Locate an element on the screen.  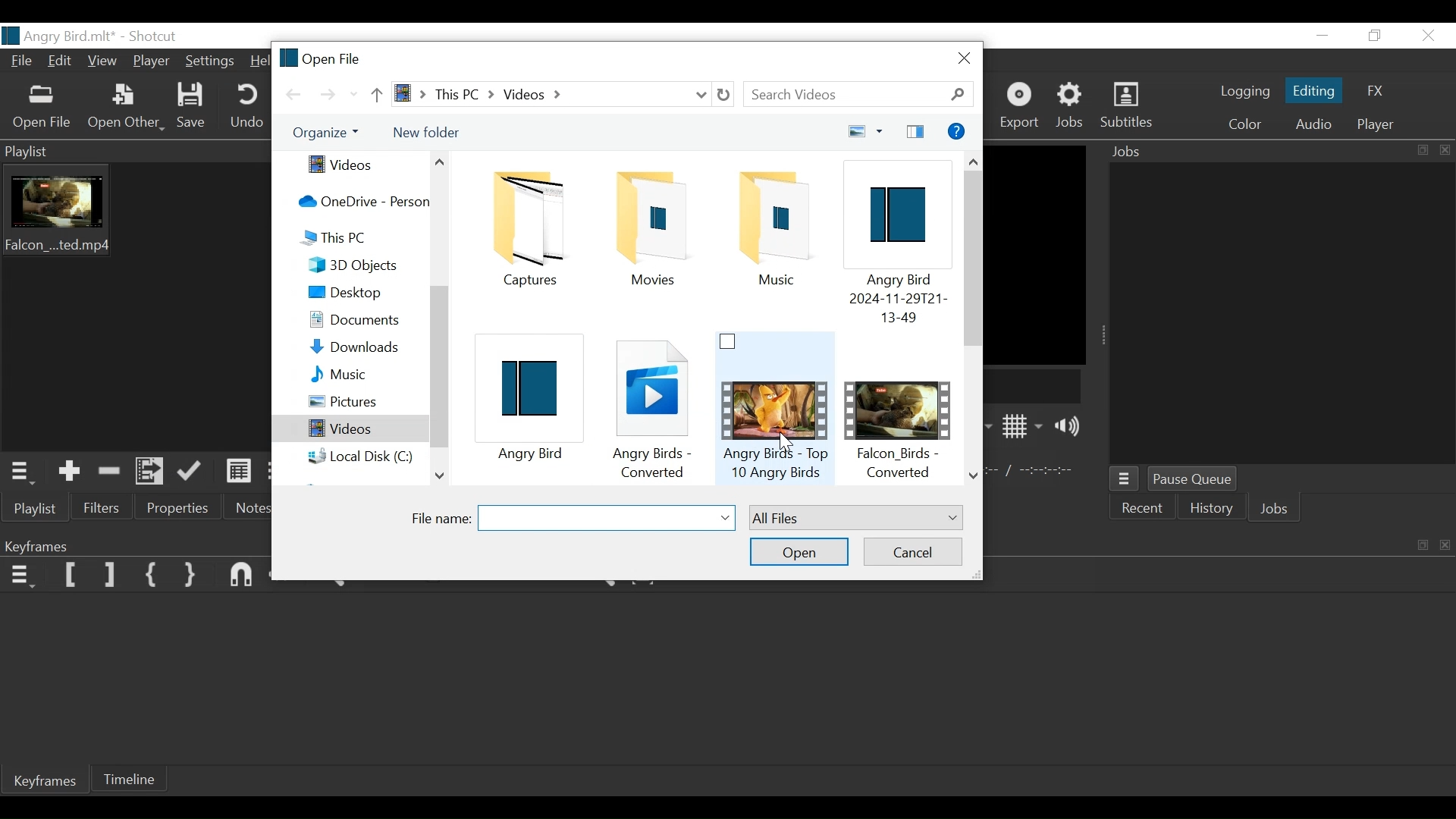
Scroll up is located at coordinates (438, 161).